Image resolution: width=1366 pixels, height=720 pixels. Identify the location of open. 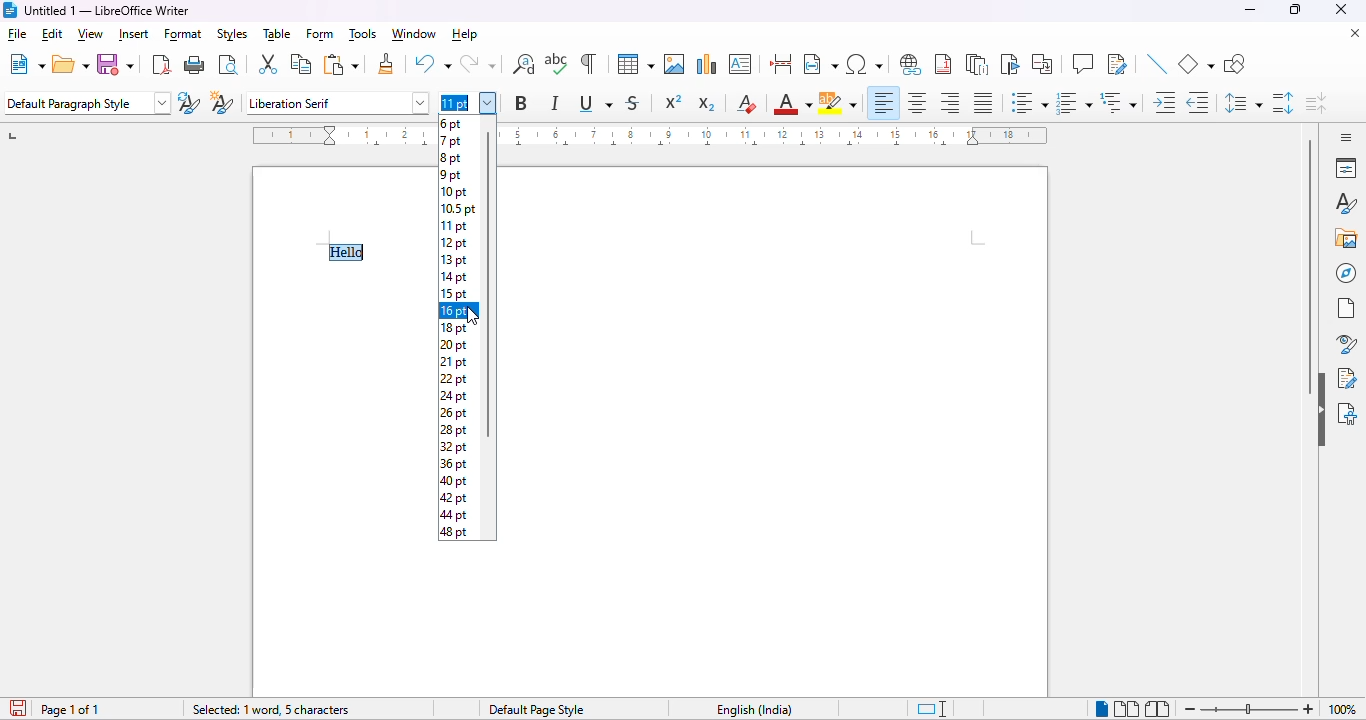
(72, 65).